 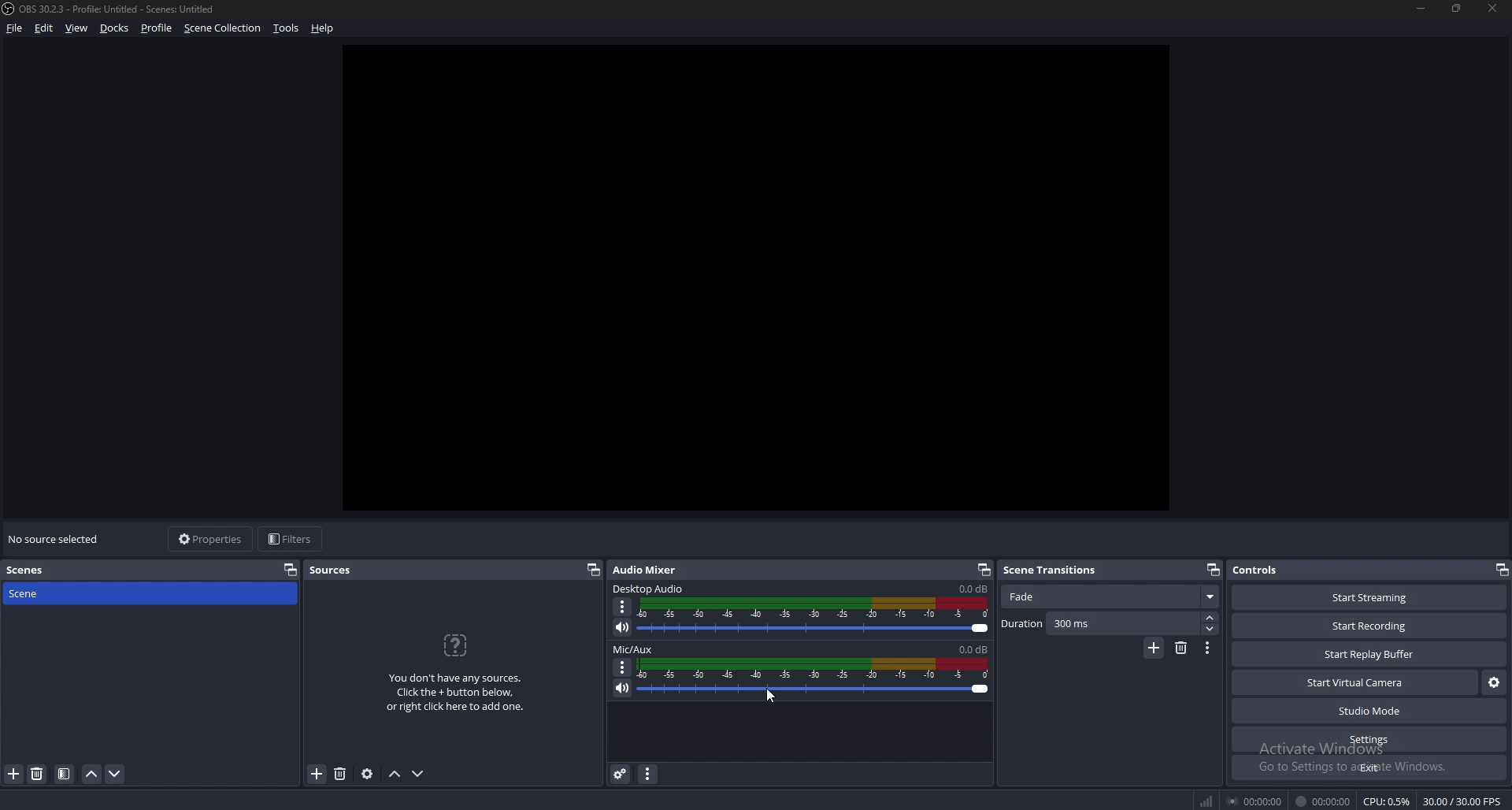 What do you see at coordinates (1368, 711) in the screenshot?
I see `studio mode` at bounding box center [1368, 711].